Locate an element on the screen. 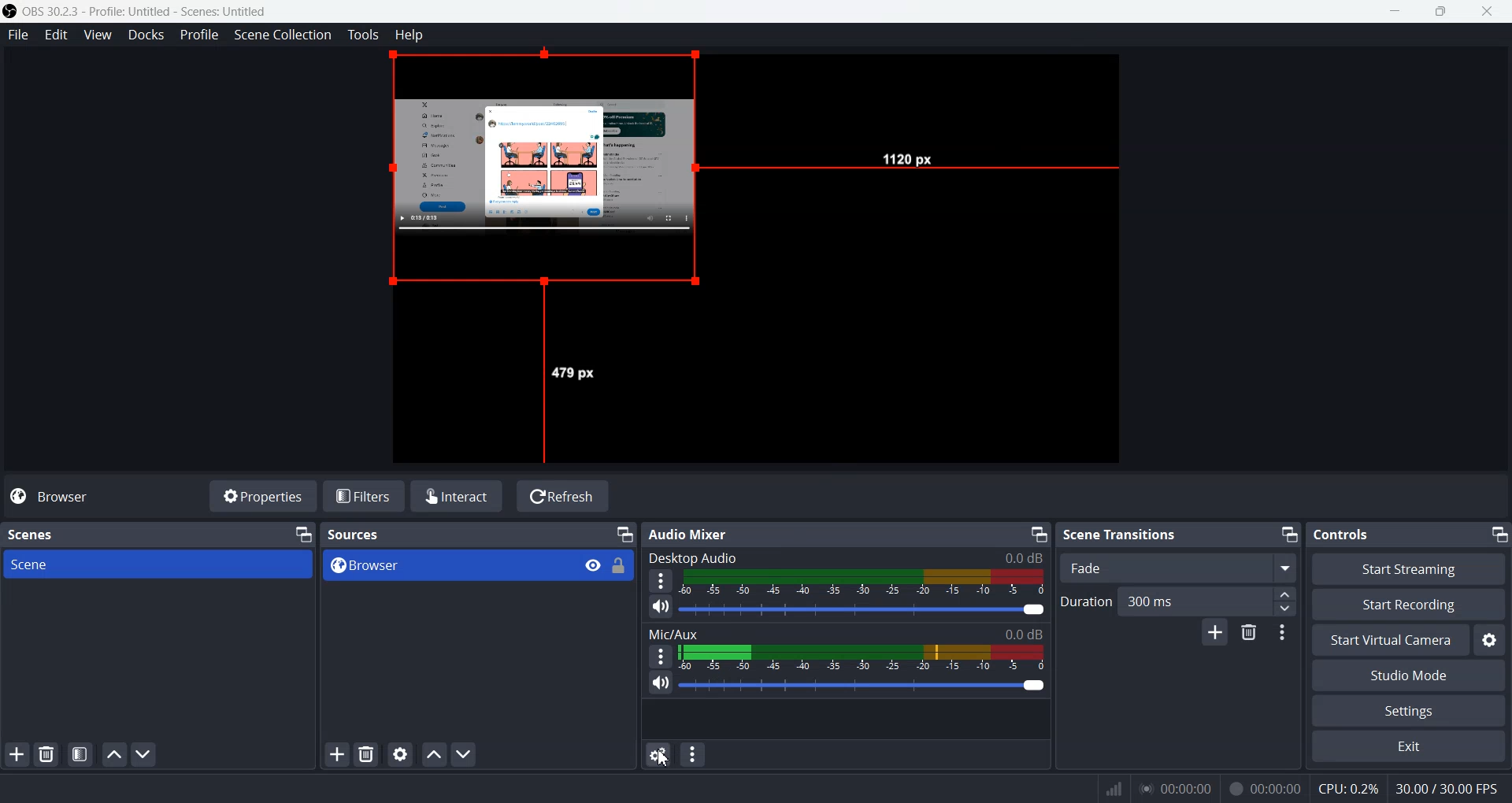 The height and width of the screenshot is (803, 1512). Scenes is located at coordinates (30, 533).